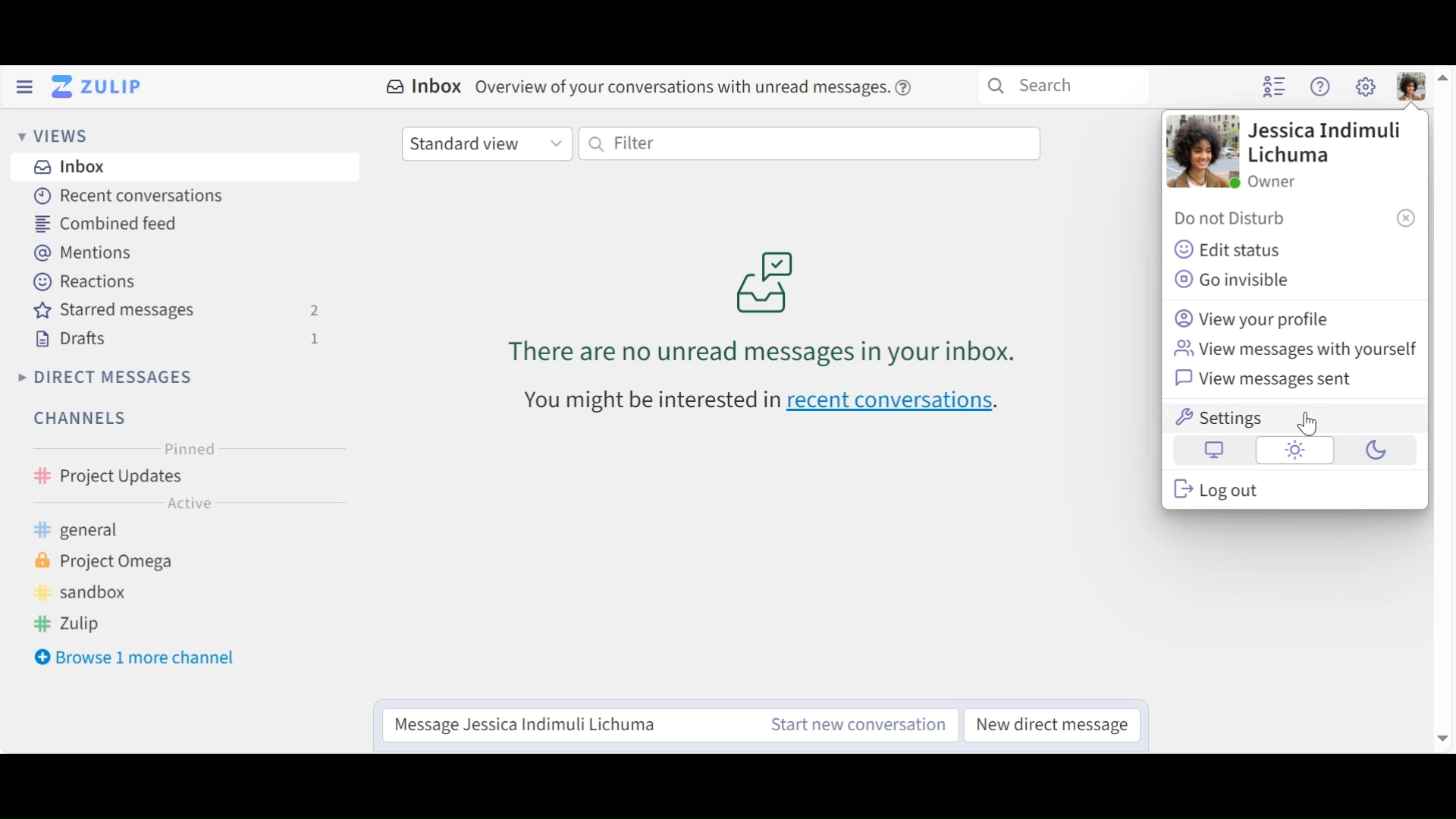 Image resolution: width=1456 pixels, height=819 pixels. What do you see at coordinates (1294, 350) in the screenshot?
I see `View messages with yourself` at bounding box center [1294, 350].